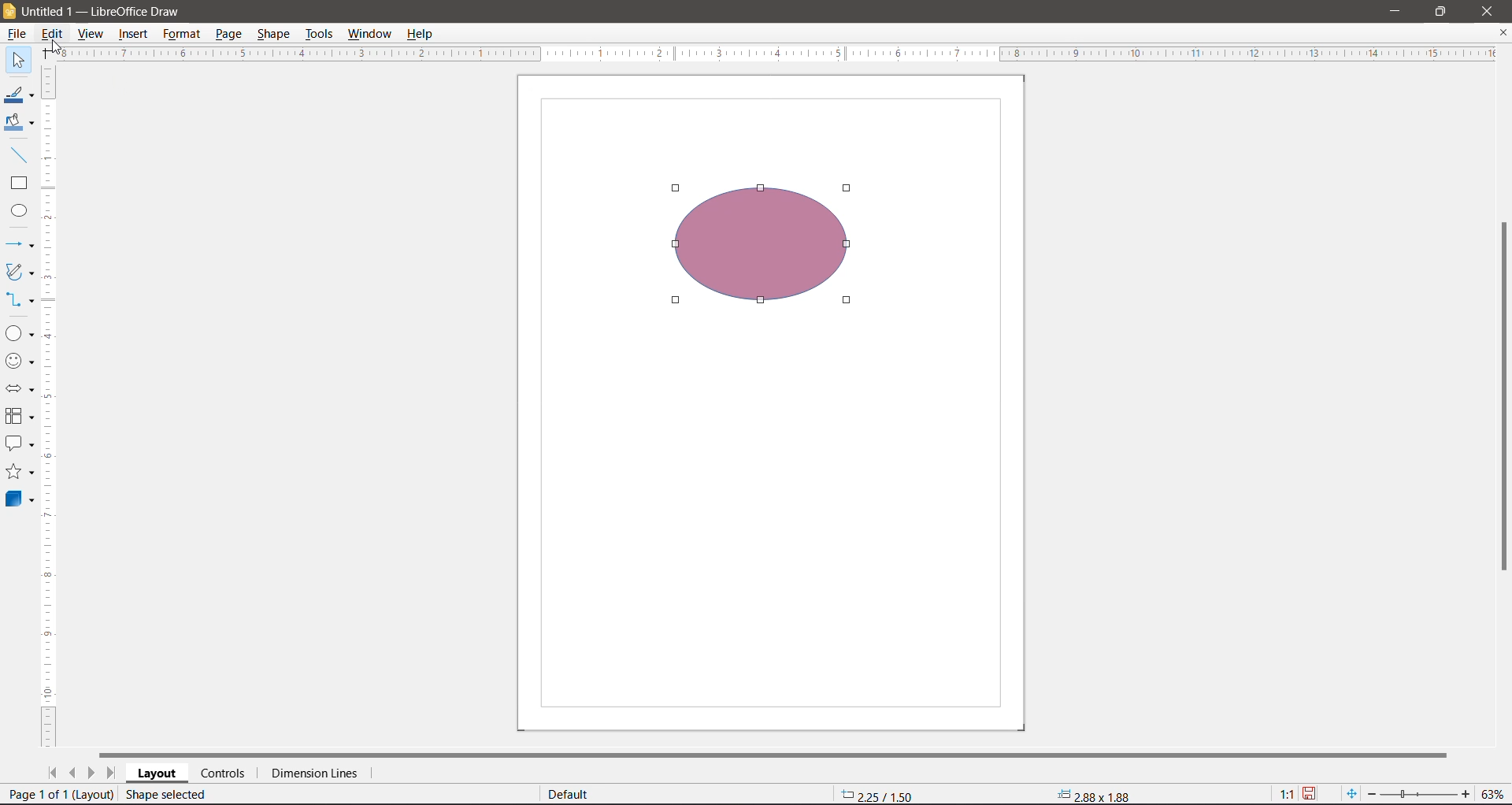 This screenshot has height=805, width=1512. What do you see at coordinates (877, 794) in the screenshot?
I see `Object Position` at bounding box center [877, 794].